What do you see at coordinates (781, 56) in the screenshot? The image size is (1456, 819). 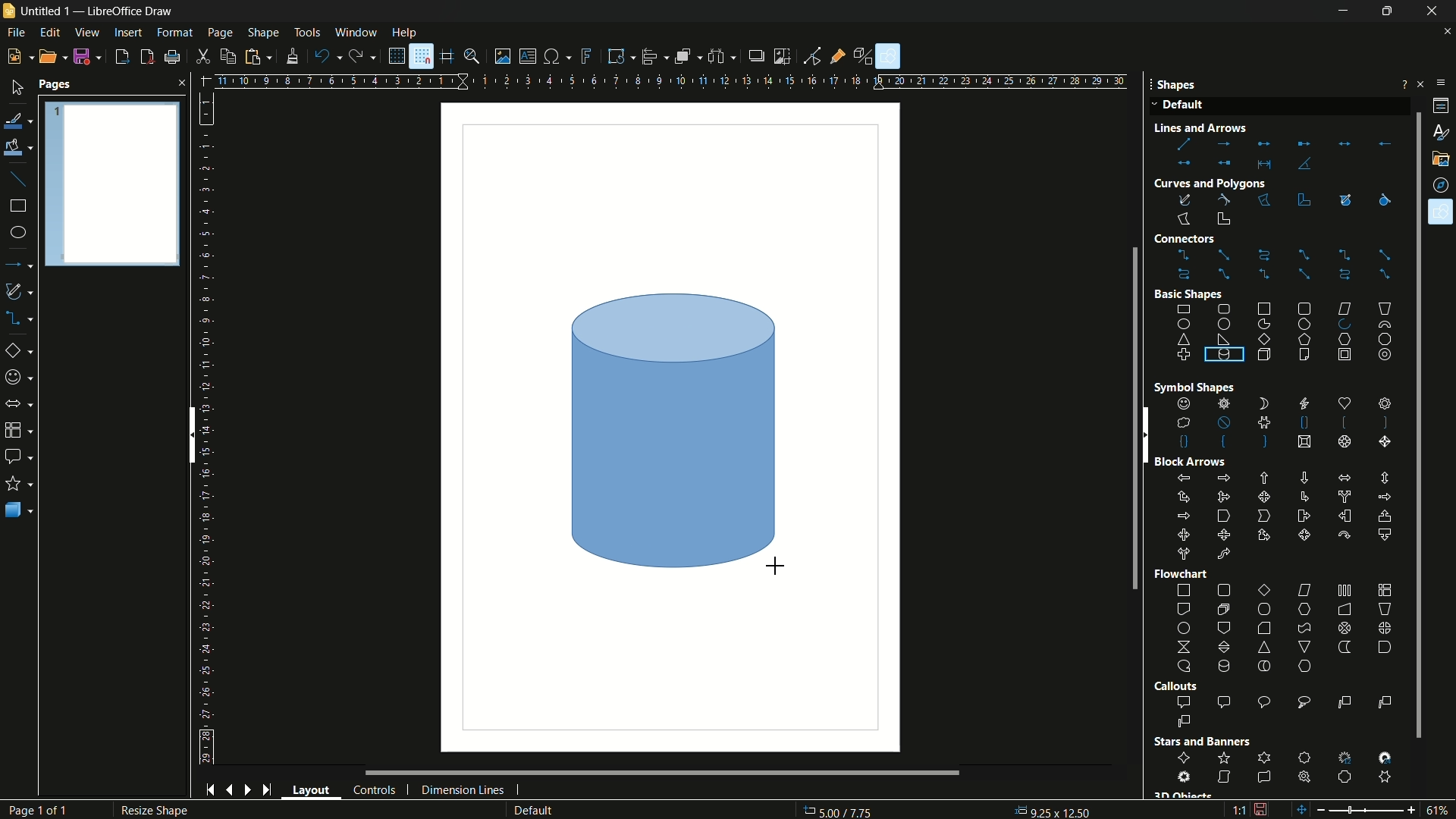 I see `crop` at bounding box center [781, 56].